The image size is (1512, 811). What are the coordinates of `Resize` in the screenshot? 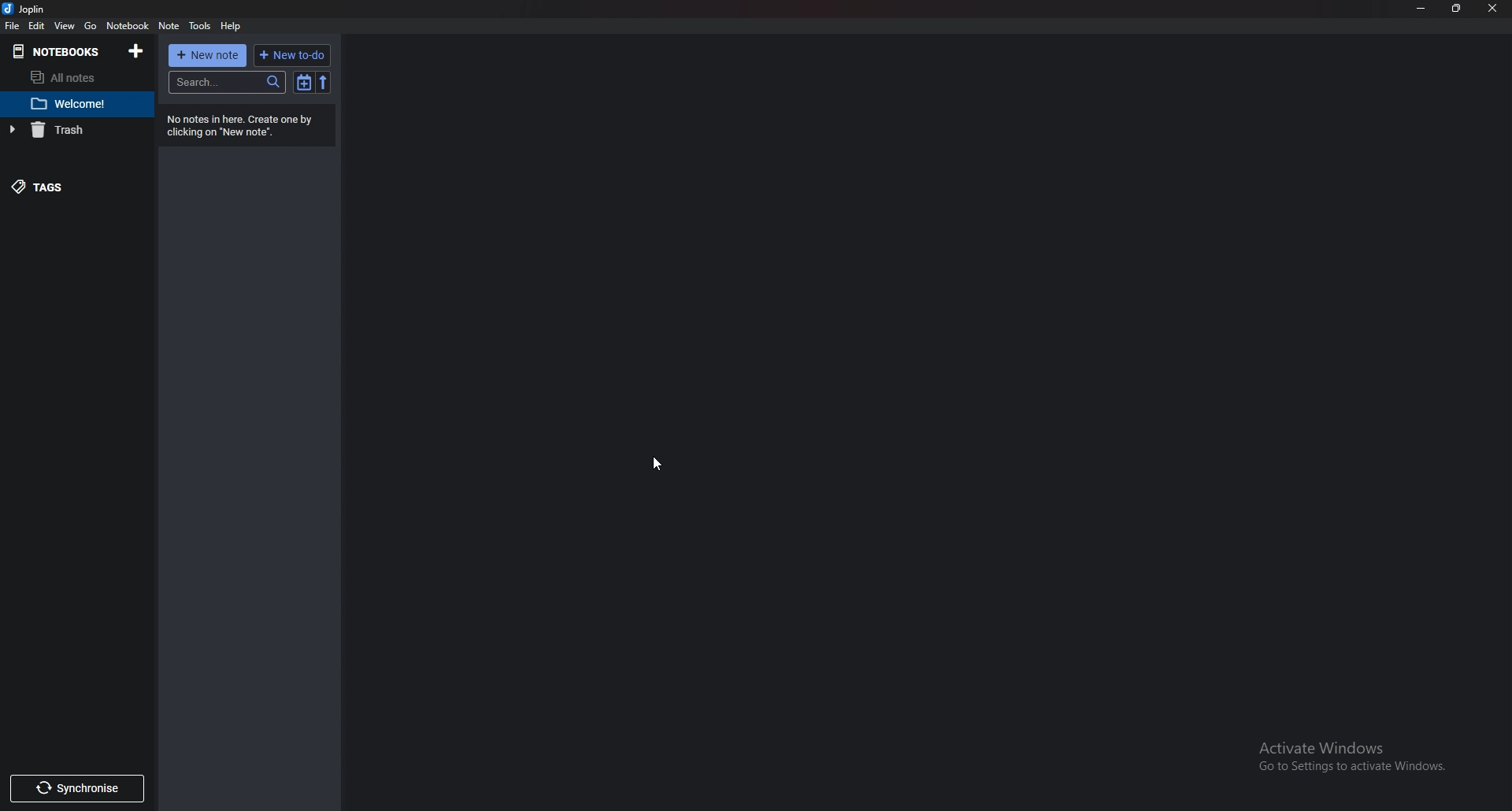 It's located at (1458, 9).